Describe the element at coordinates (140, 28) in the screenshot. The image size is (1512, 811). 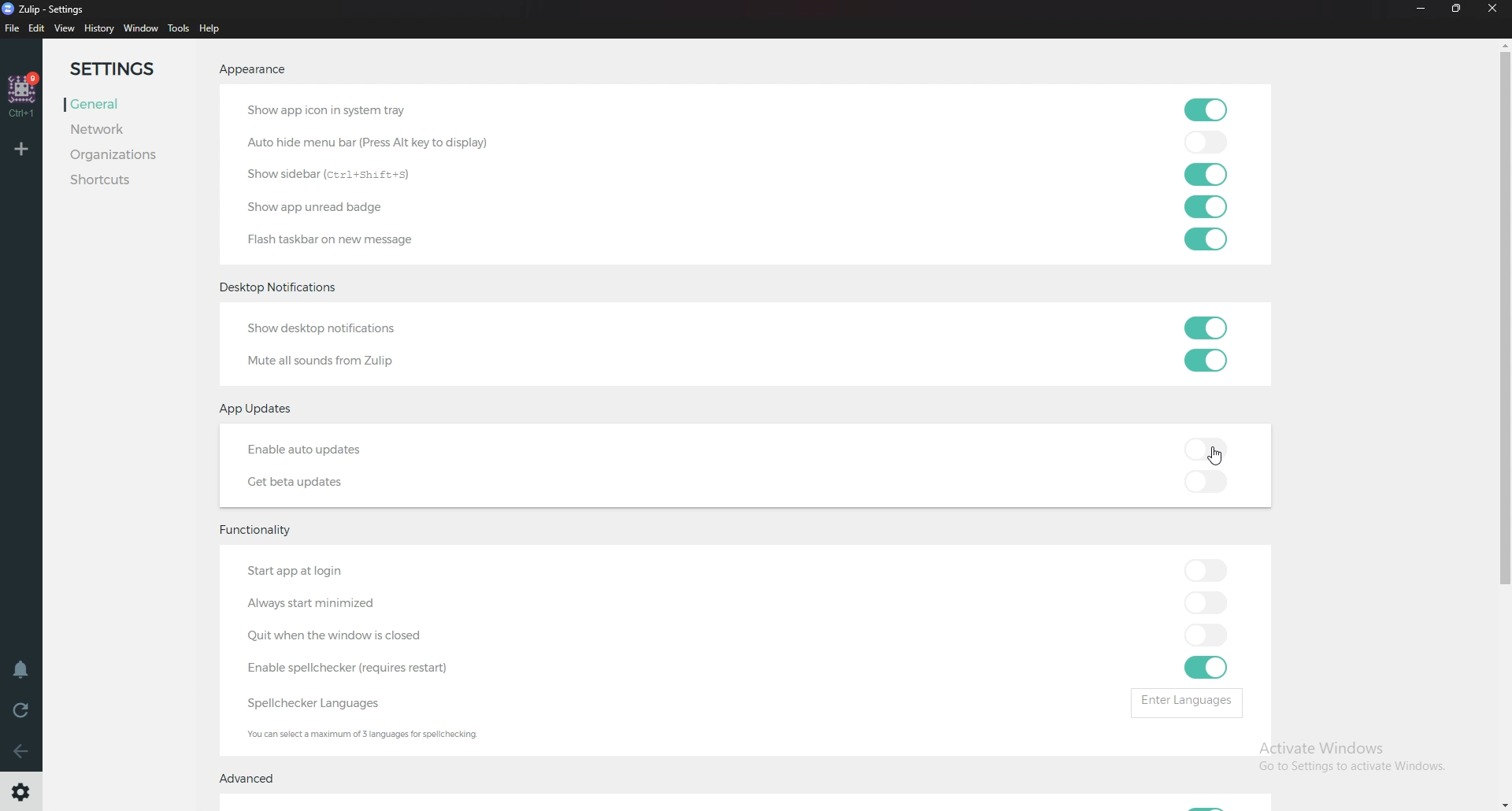
I see `Window` at that location.